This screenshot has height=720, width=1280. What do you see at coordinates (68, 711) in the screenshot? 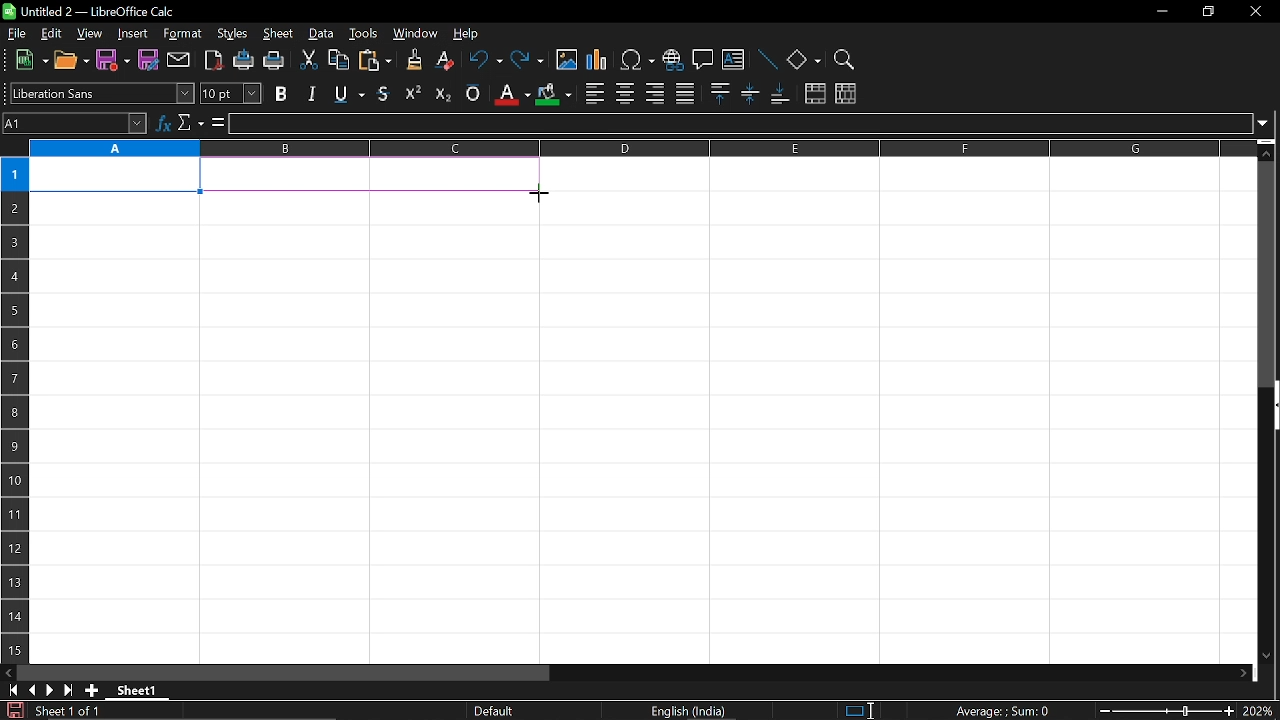
I see `Sheet 1 of 1` at bounding box center [68, 711].